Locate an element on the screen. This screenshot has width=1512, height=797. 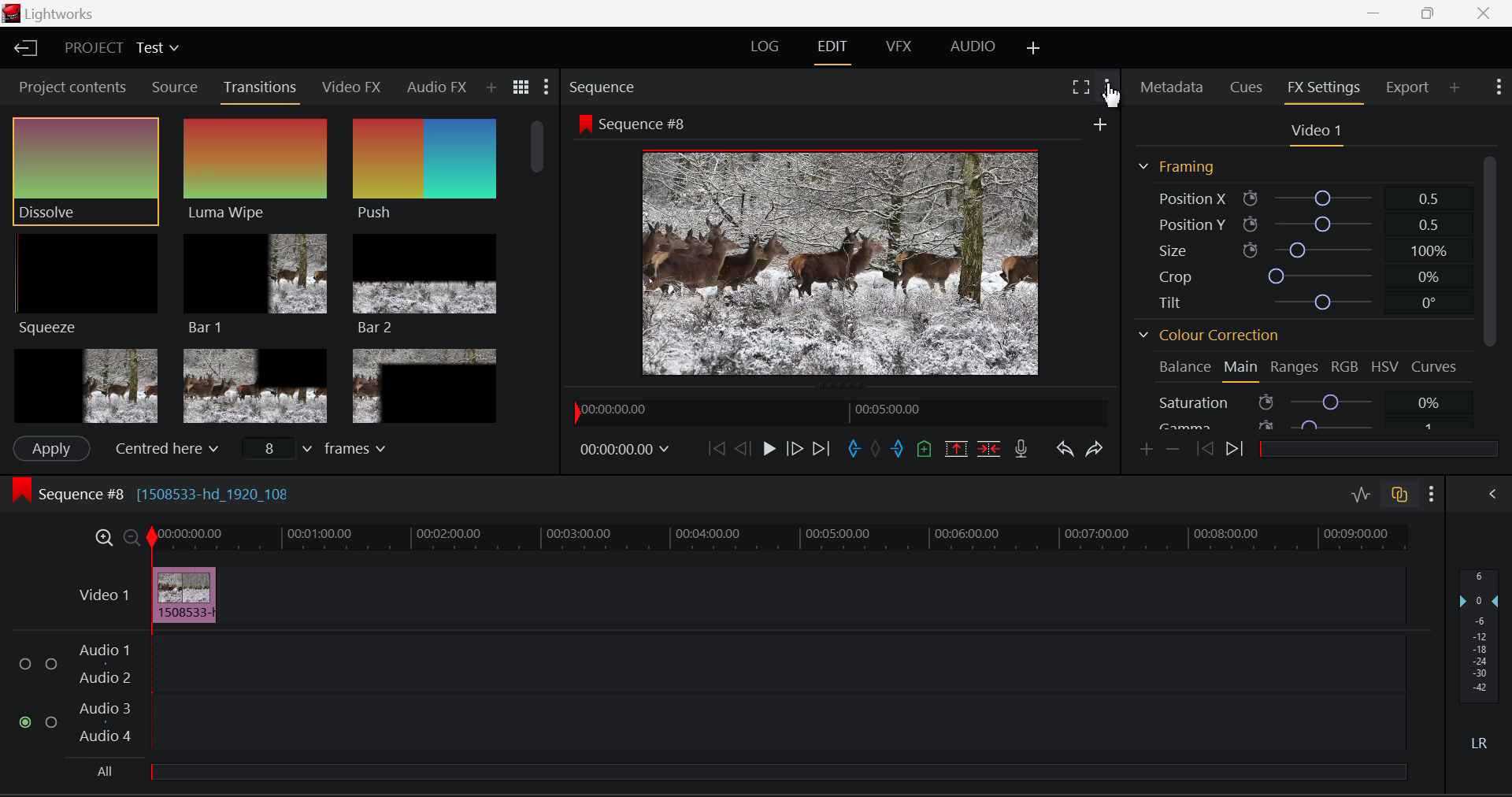
Add keyframe is located at coordinates (1145, 450).